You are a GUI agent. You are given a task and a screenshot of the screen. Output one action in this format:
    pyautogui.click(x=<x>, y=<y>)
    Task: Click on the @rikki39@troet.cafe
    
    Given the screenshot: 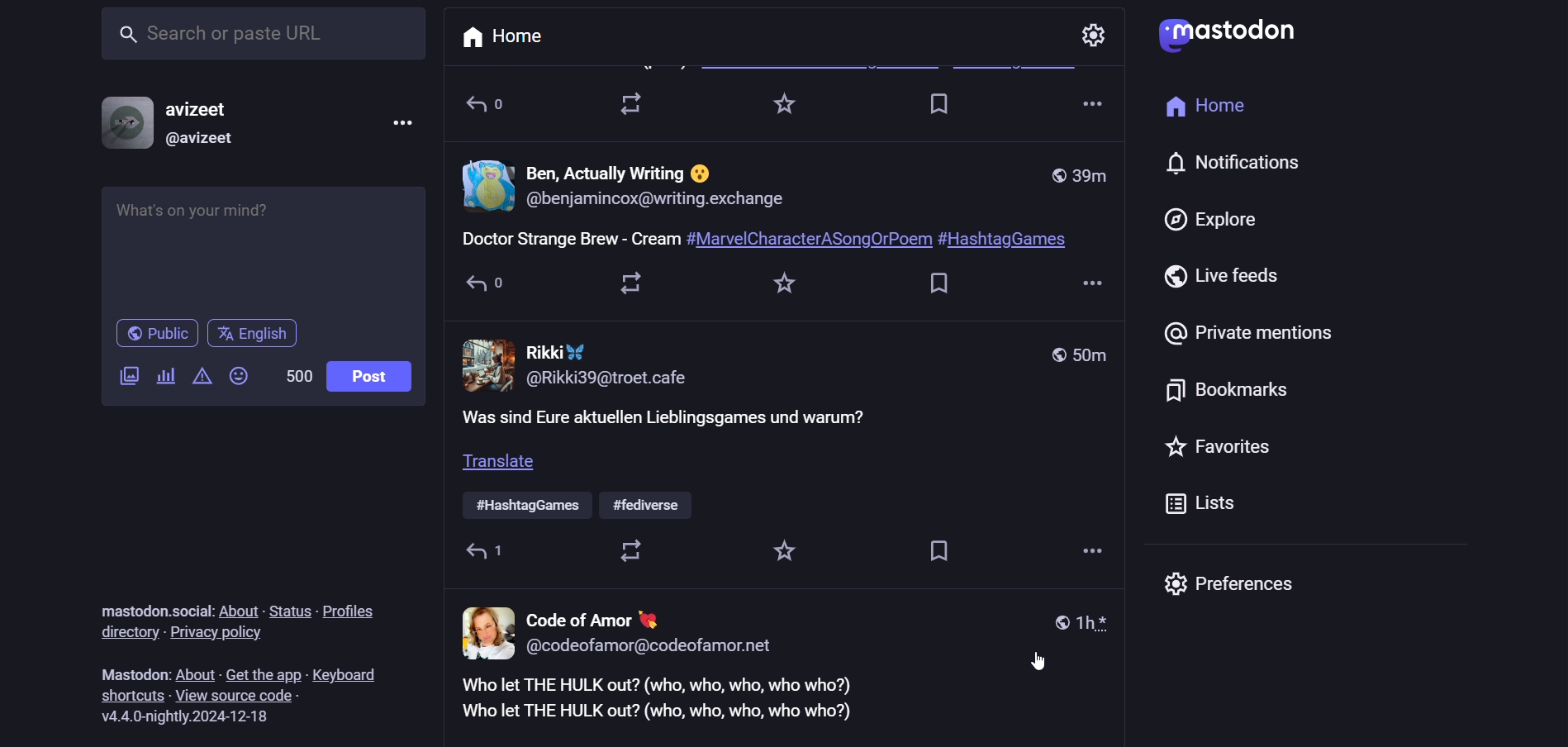 What is the action you would take?
    pyautogui.click(x=620, y=379)
    